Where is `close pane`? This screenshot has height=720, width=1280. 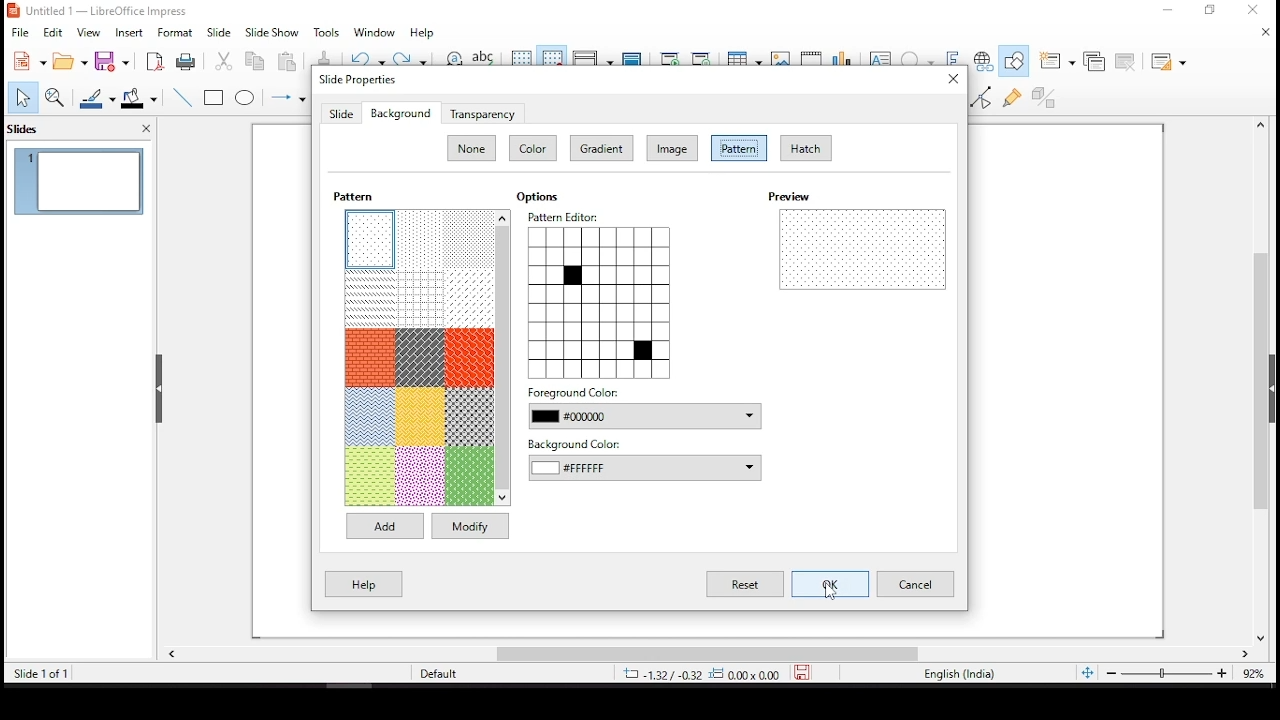 close pane is located at coordinates (146, 127).